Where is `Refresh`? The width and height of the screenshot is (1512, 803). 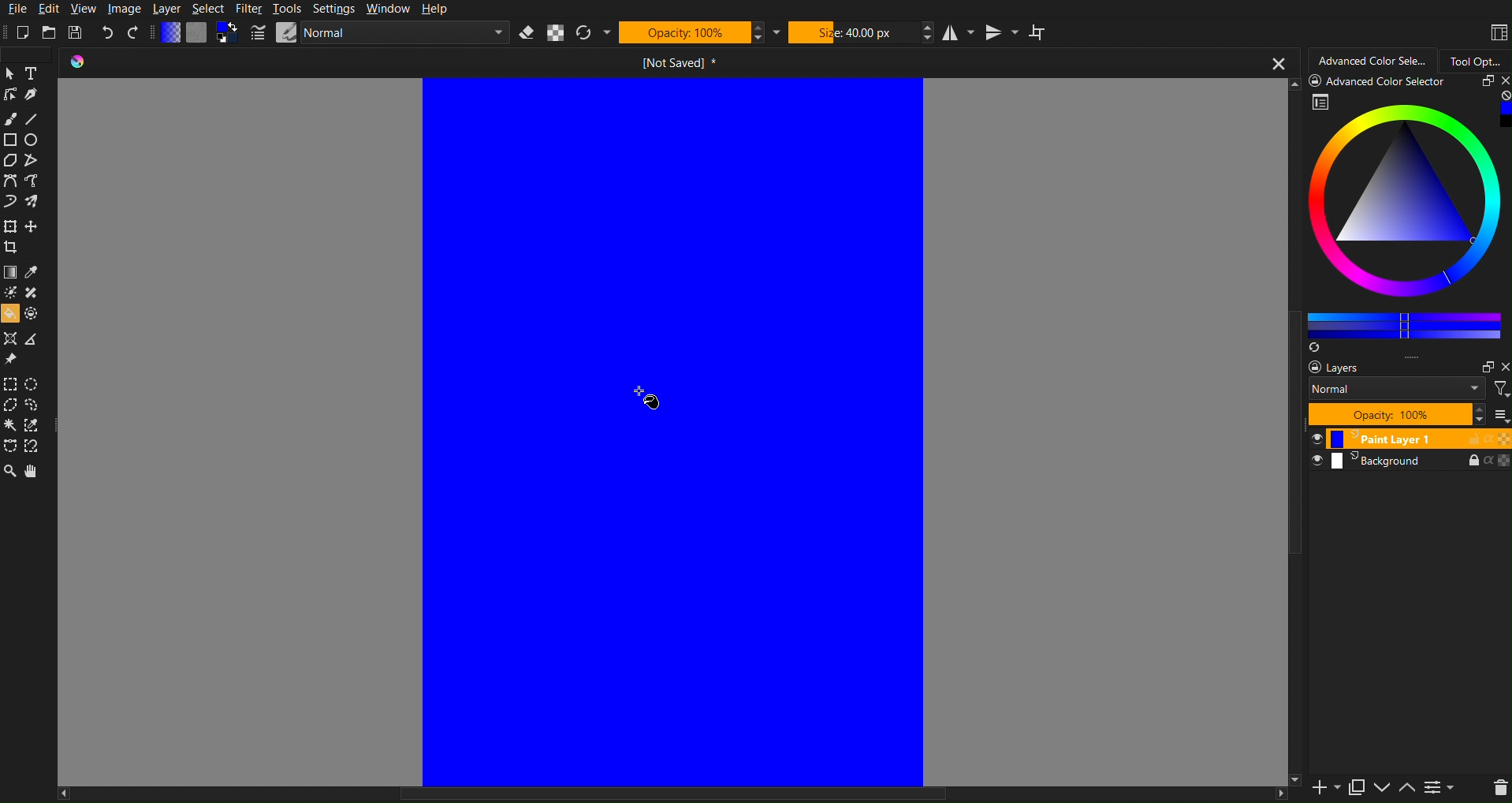
Refresh is located at coordinates (594, 33).